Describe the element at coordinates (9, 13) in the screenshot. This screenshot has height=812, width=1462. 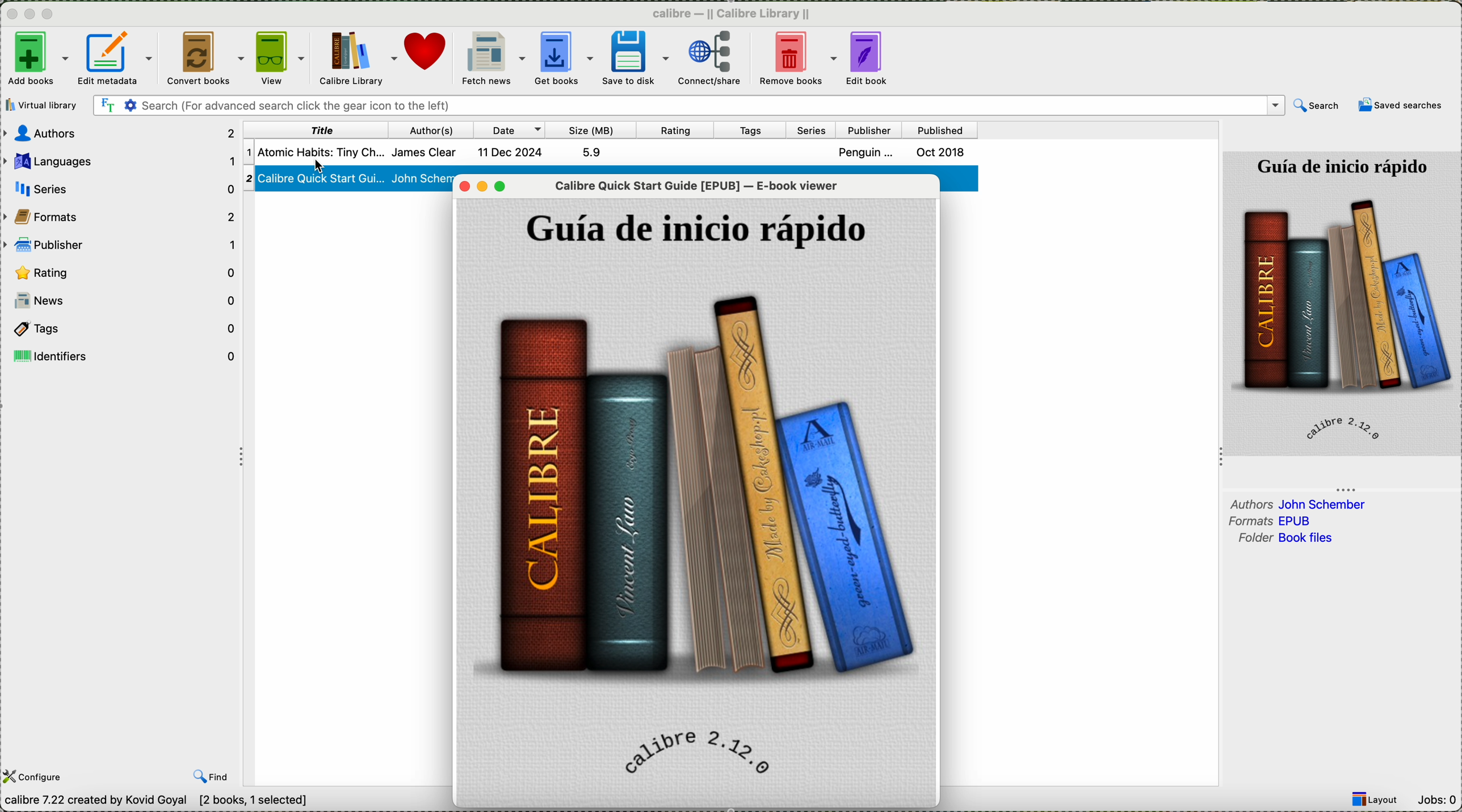
I see `close program` at that location.